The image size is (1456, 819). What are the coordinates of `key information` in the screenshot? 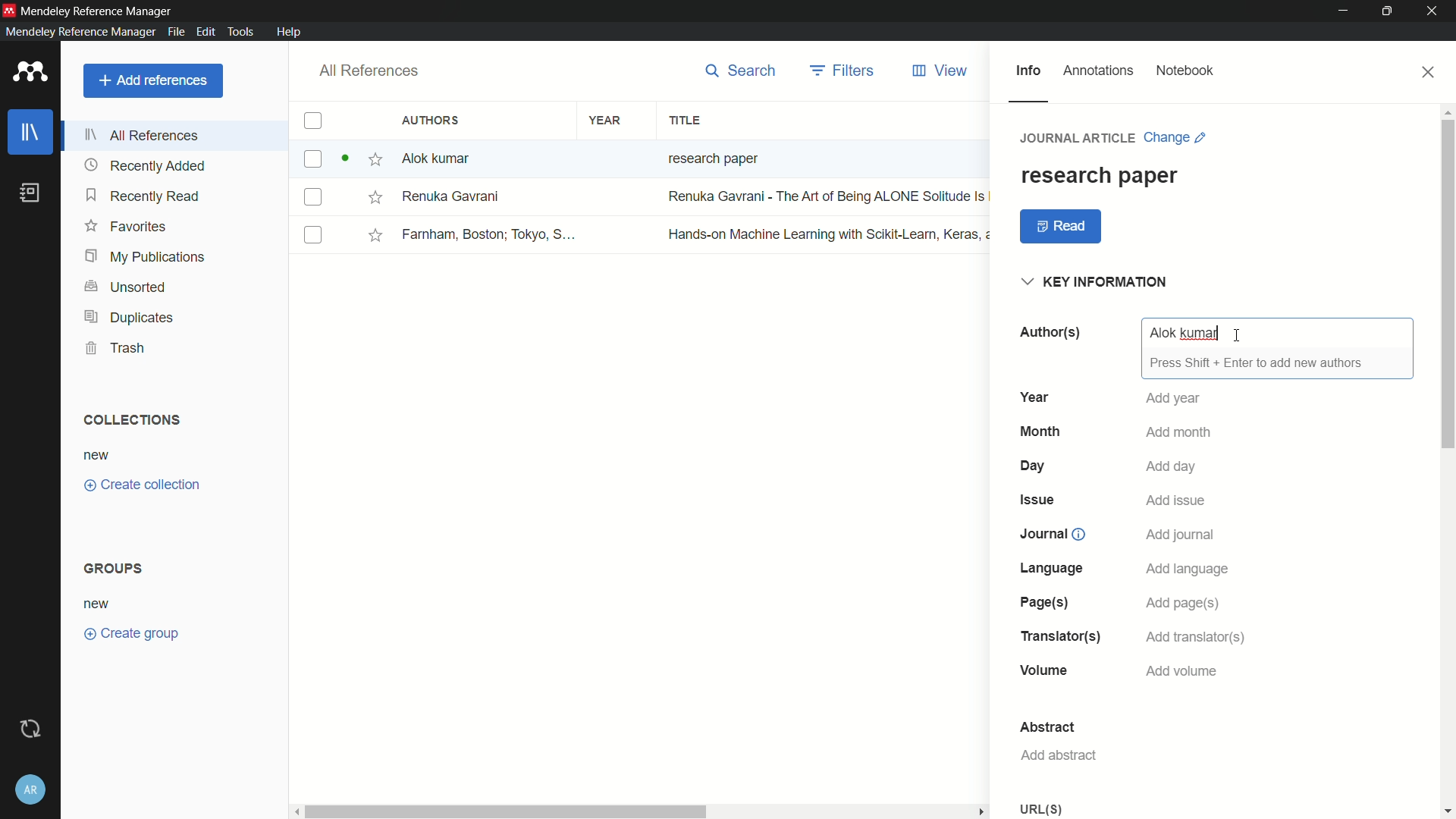 It's located at (1097, 283).